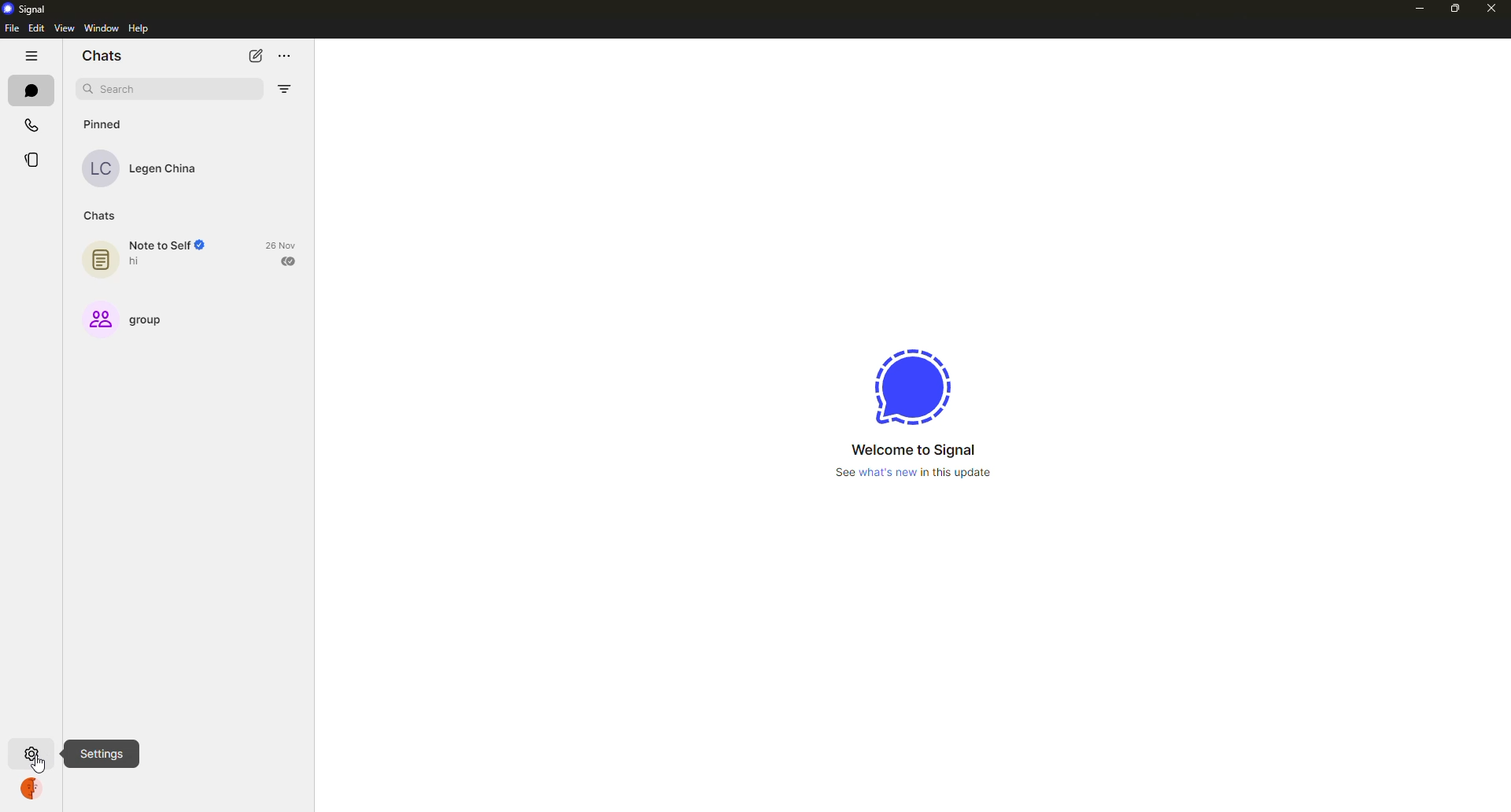 The width and height of the screenshot is (1511, 812). I want to click on See what's new in this update, so click(912, 475).